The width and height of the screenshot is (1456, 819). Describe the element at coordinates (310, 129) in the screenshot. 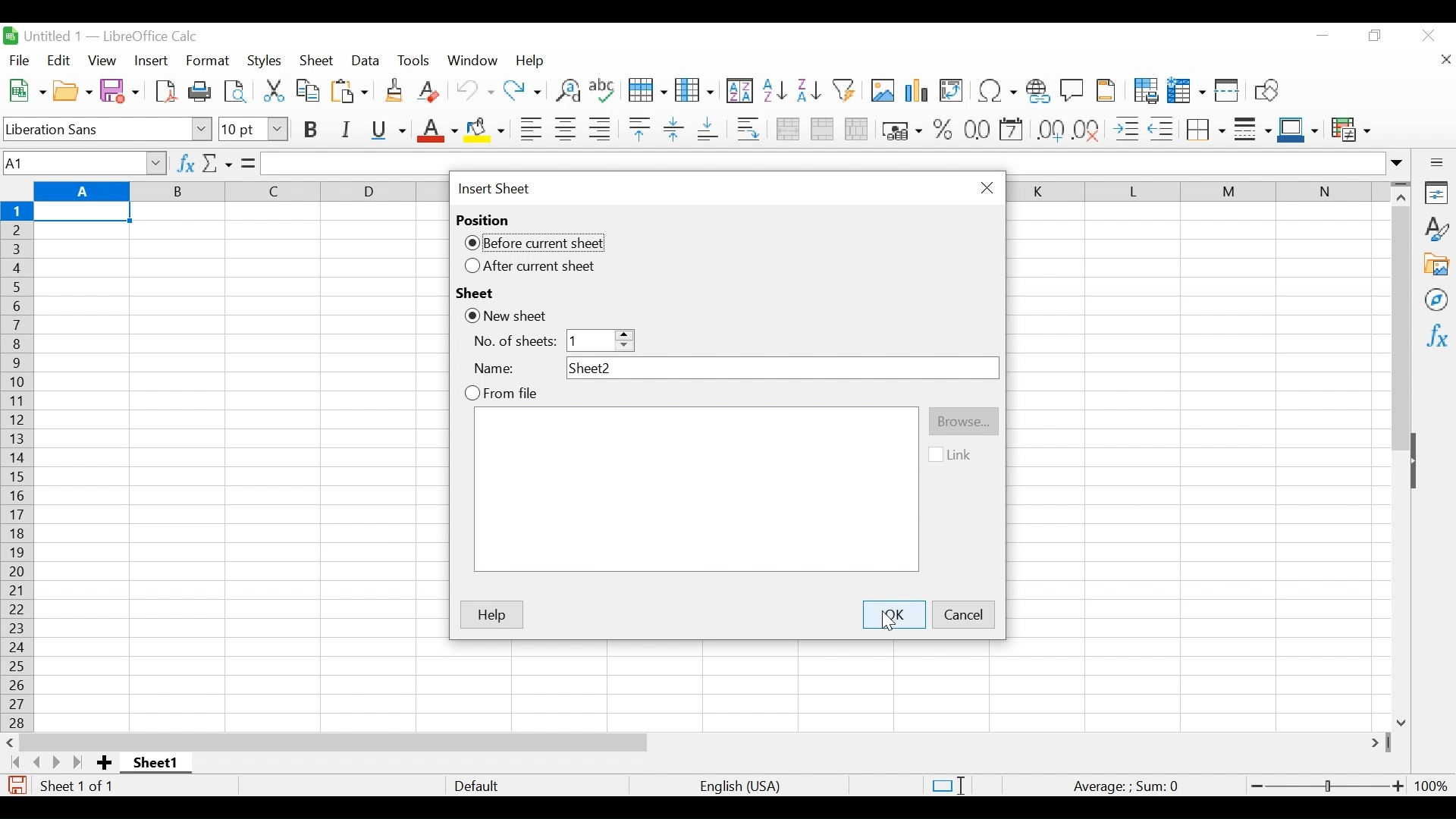

I see `Bold` at that location.